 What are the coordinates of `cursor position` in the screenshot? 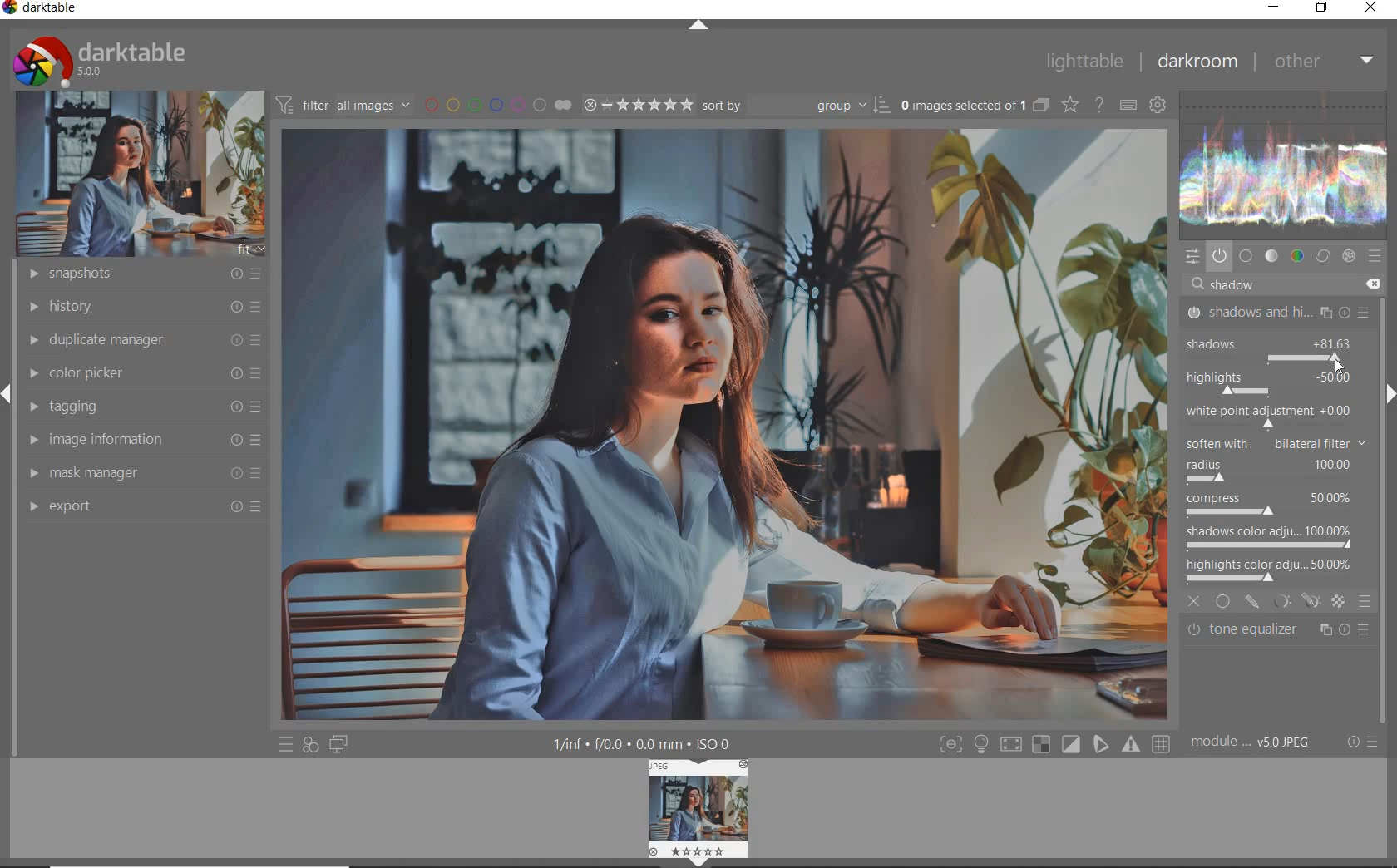 It's located at (1340, 364).